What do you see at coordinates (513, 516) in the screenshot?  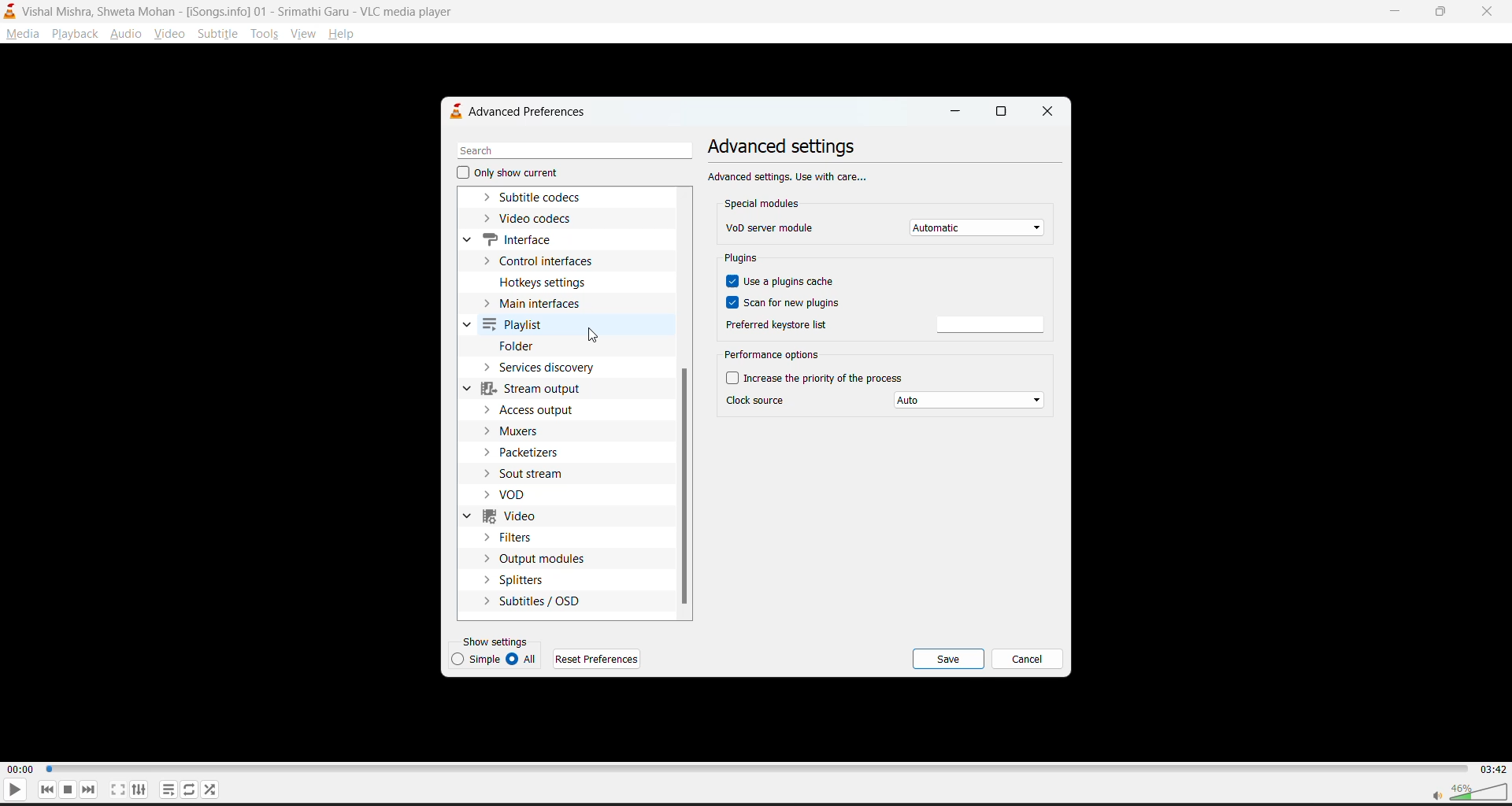 I see `video` at bounding box center [513, 516].